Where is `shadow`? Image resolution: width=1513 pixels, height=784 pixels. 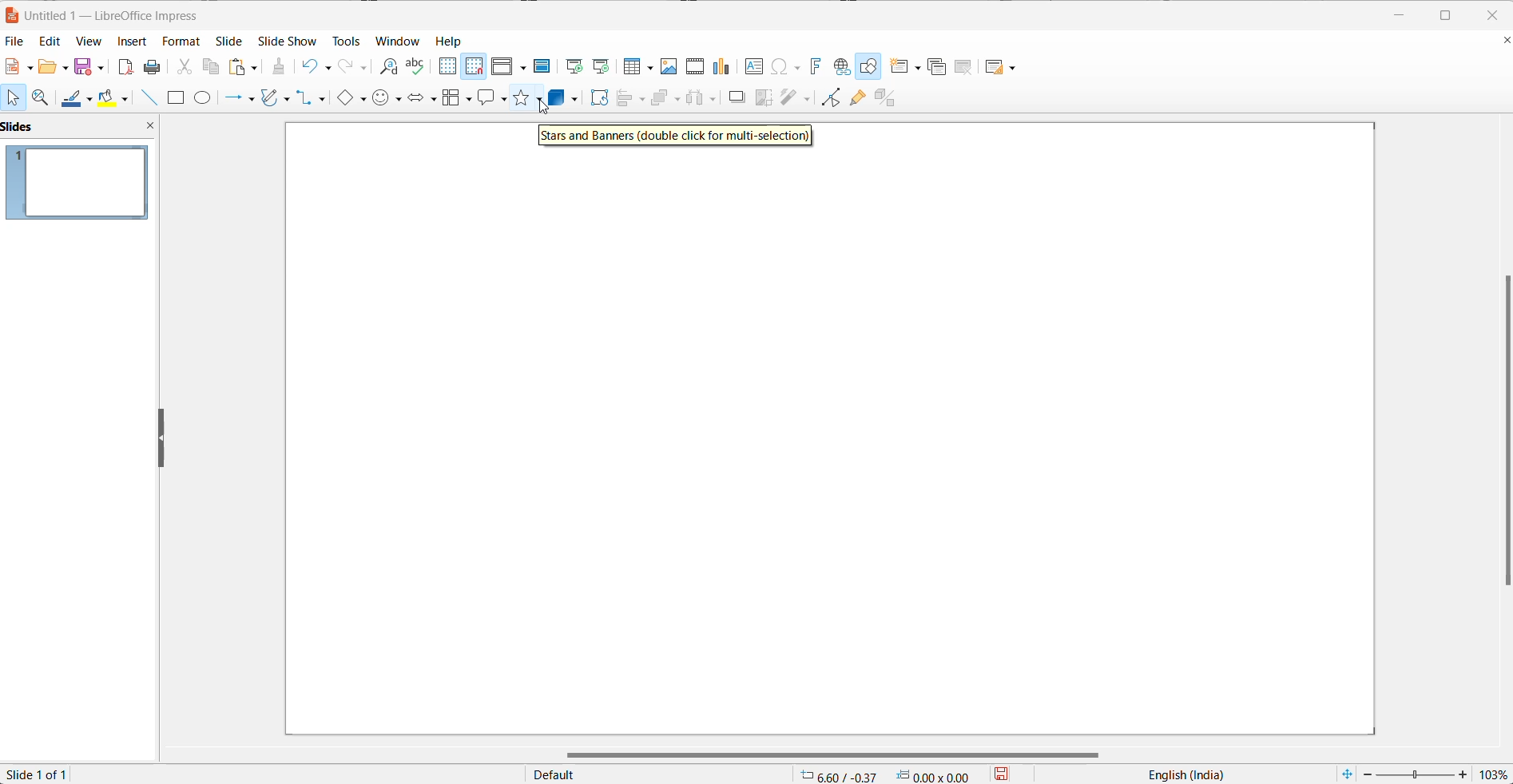
shadow is located at coordinates (738, 98).